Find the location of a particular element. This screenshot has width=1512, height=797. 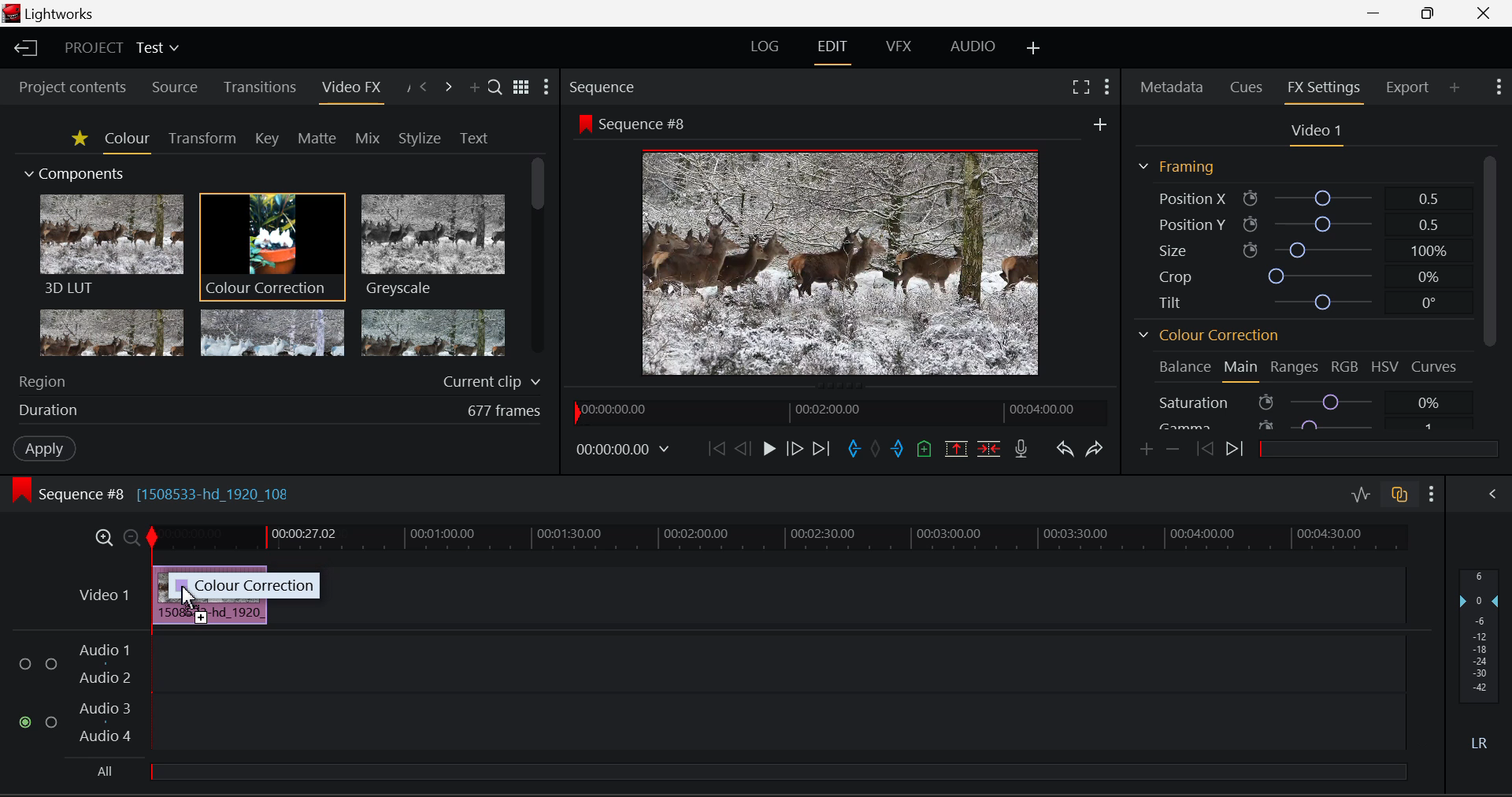

Audio 3 is located at coordinates (105, 710).